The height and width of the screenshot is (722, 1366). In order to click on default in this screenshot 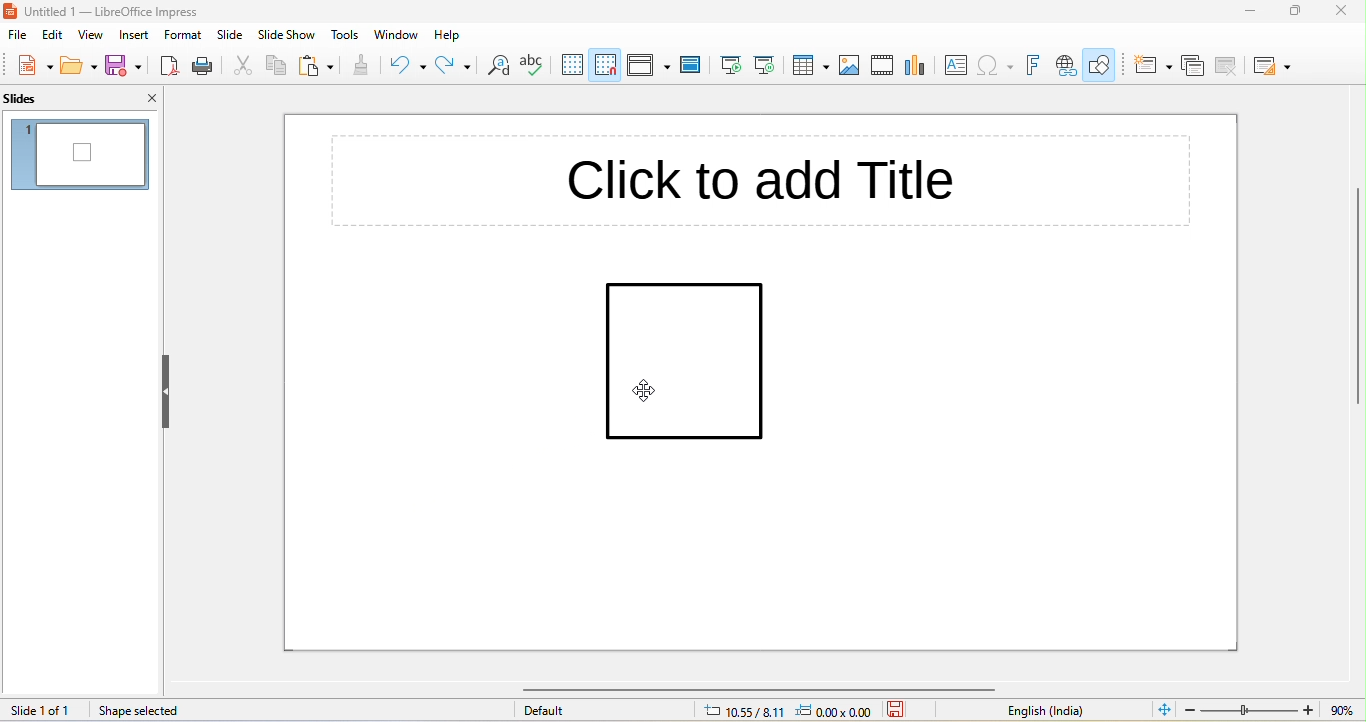, I will do `click(553, 710)`.